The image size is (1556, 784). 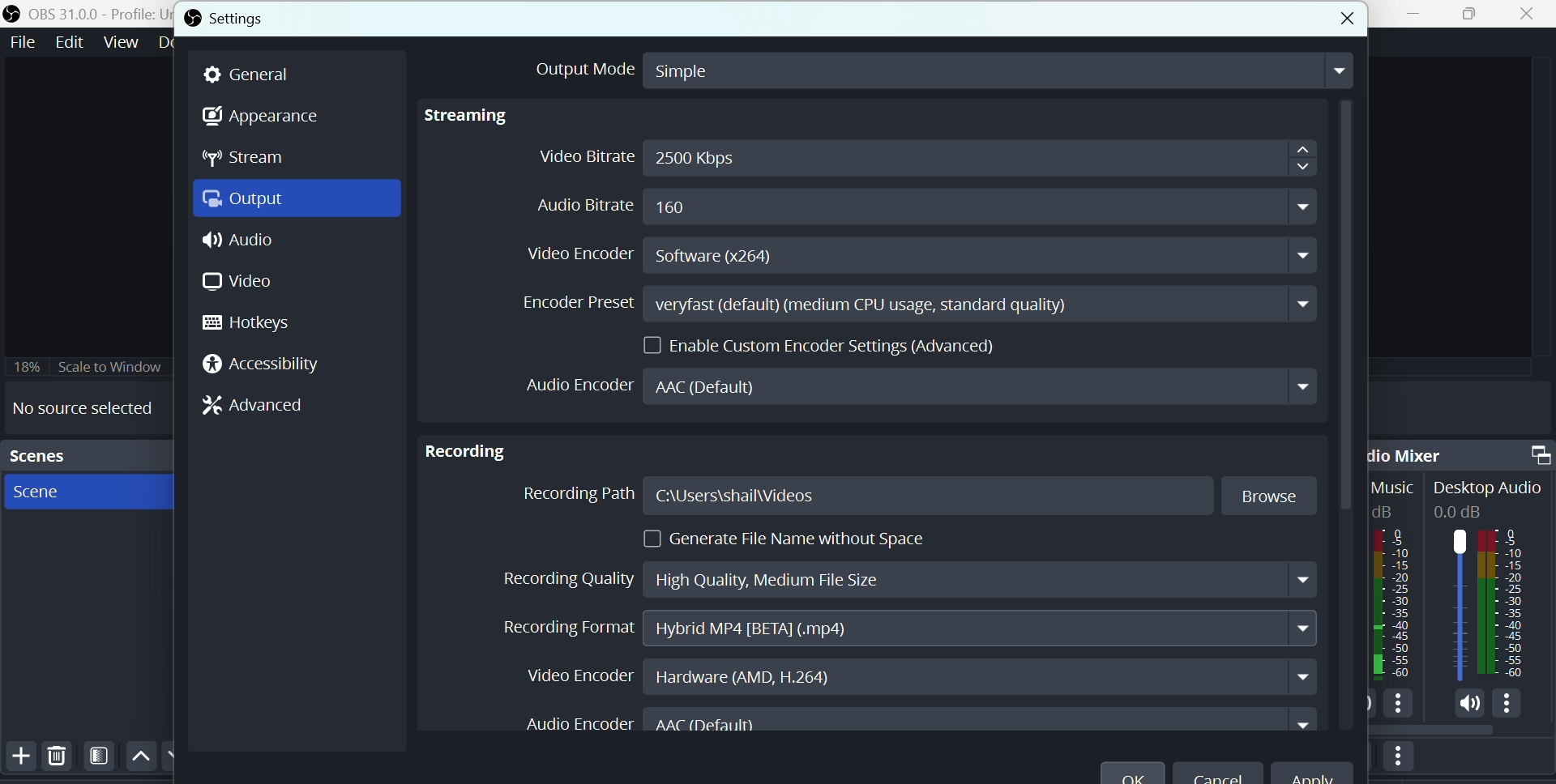 What do you see at coordinates (472, 121) in the screenshot?
I see `Streaming` at bounding box center [472, 121].